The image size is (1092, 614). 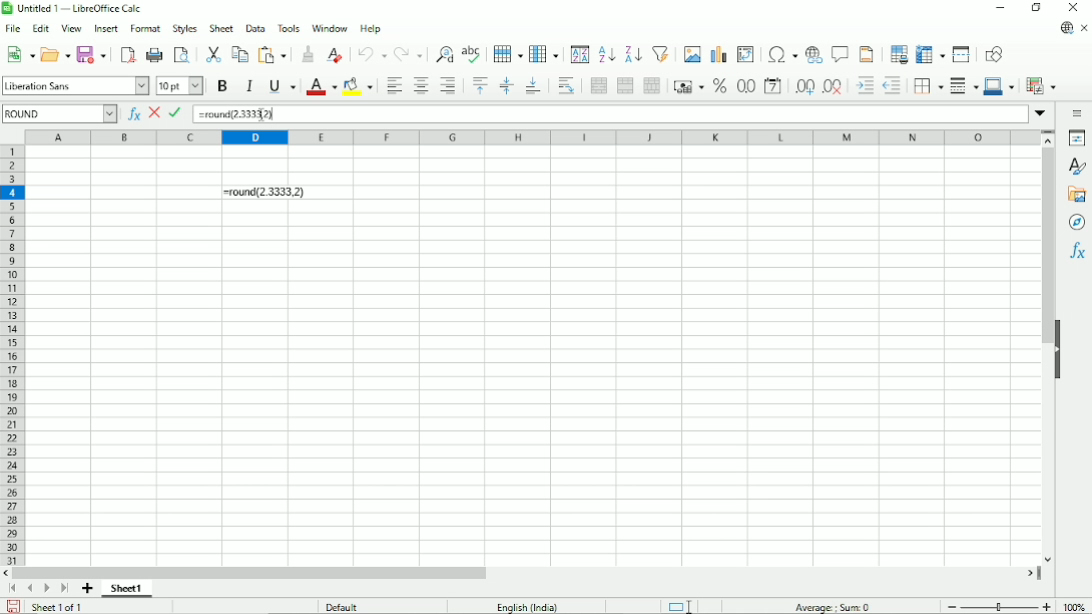 What do you see at coordinates (256, 28) in the screenshot?
I see `Data` at bounding box center [256, 28].